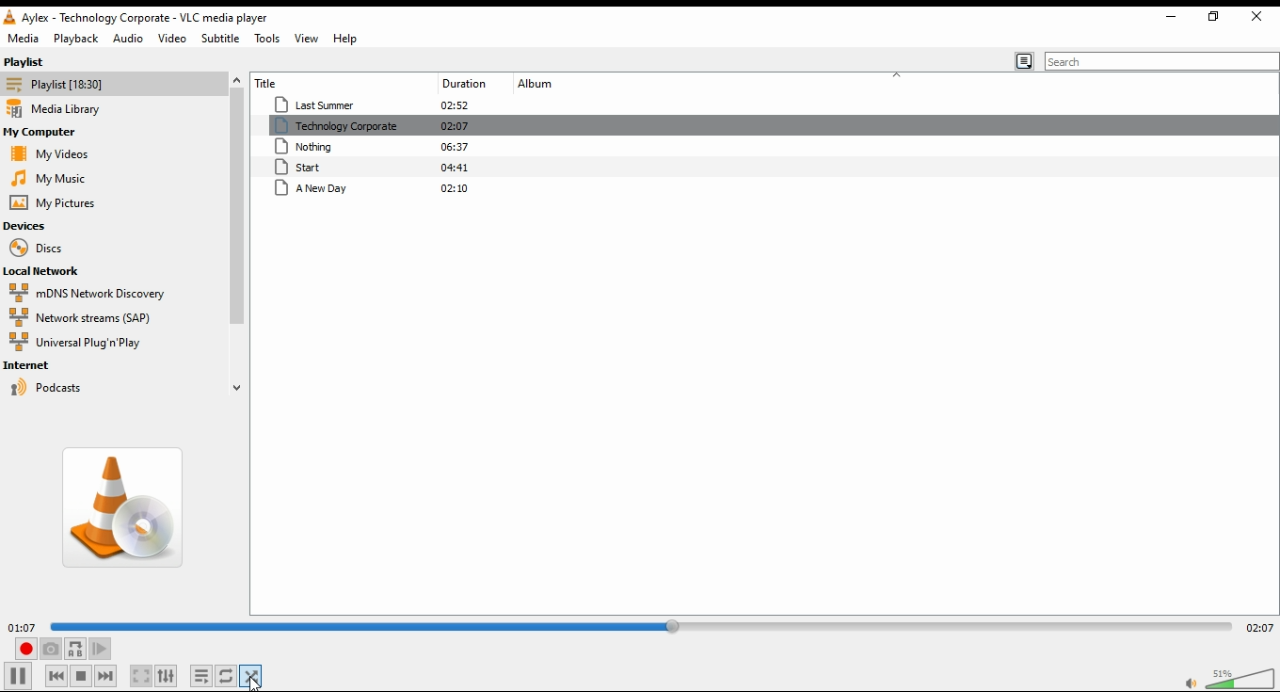 The width and height of the screenshot is (1280, 692). I want to click on stop, so click(81, 676).